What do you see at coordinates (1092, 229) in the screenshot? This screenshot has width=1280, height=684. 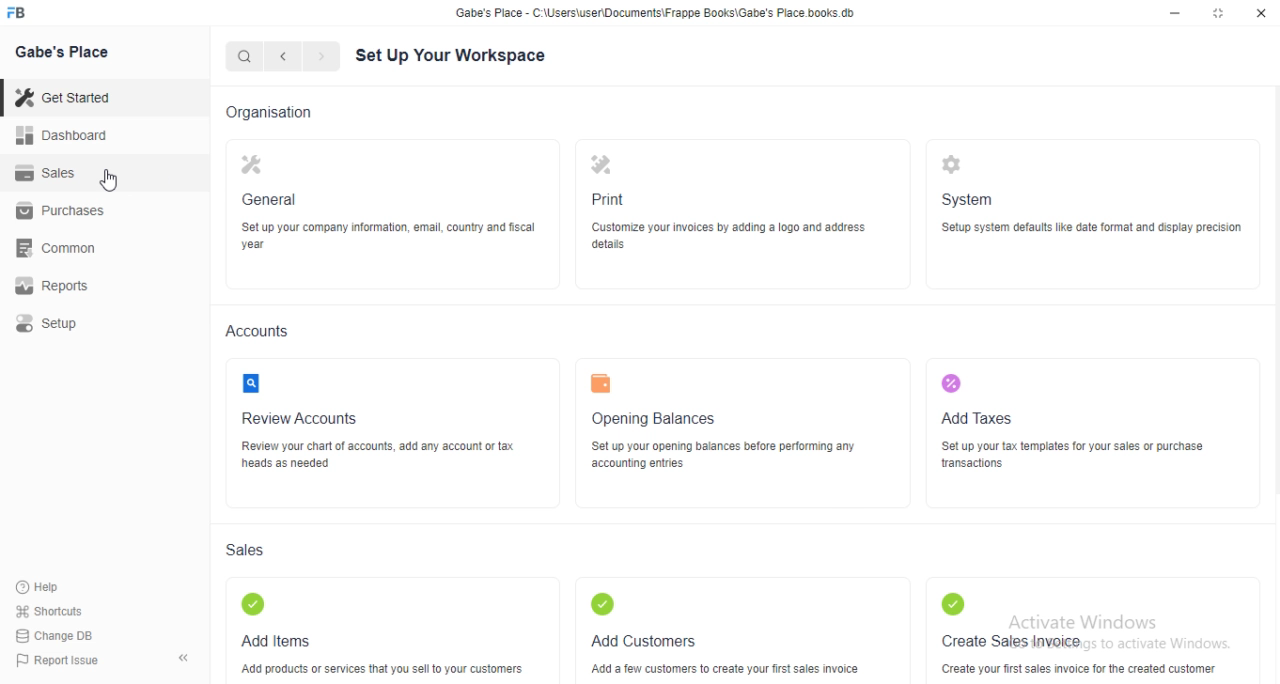 I see `‘Setup system defaults like date format and display precision` at bounding box center [1092, 229].